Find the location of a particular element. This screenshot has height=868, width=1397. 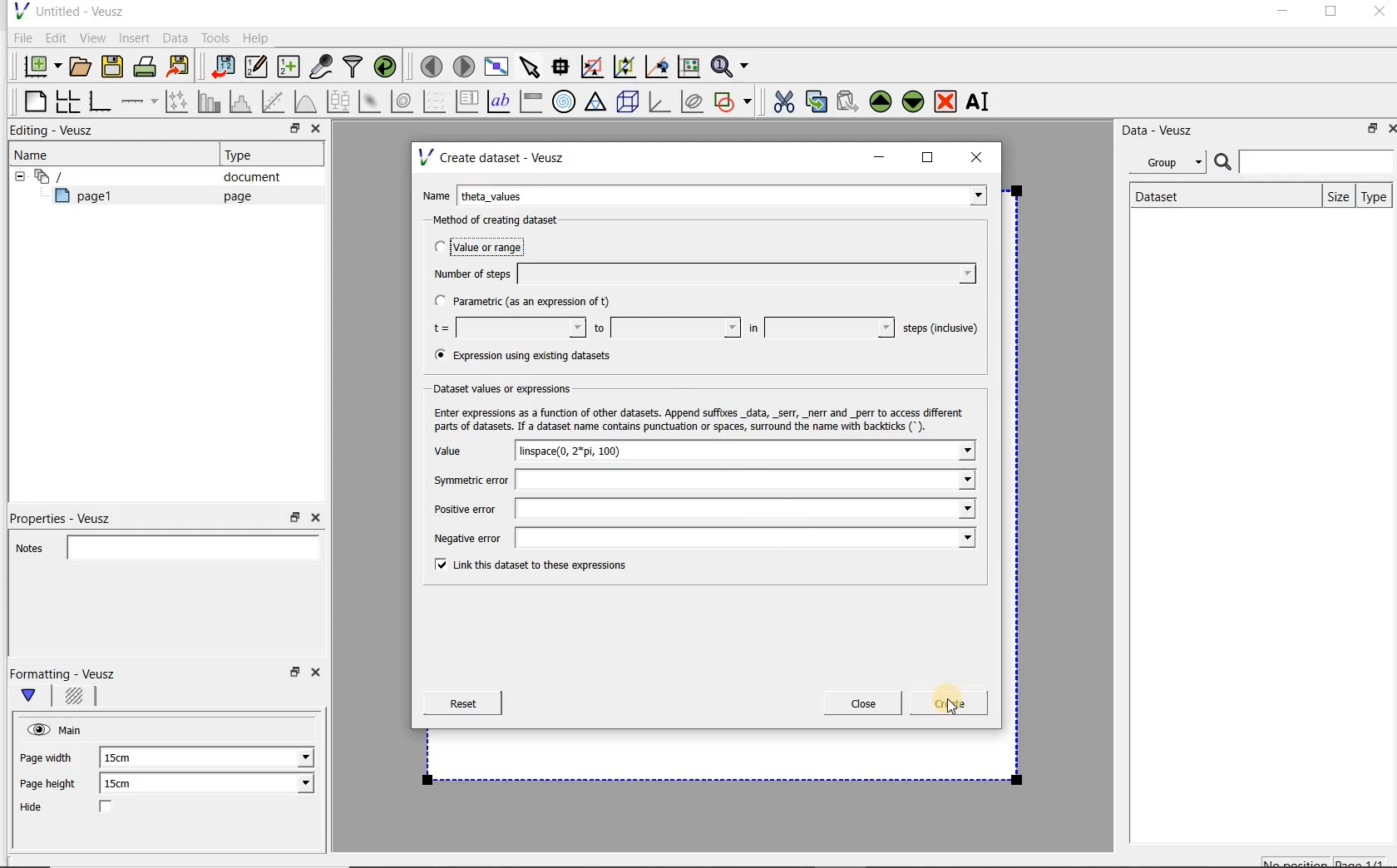

steps (inclusive) is located at coordinates (941, 329).